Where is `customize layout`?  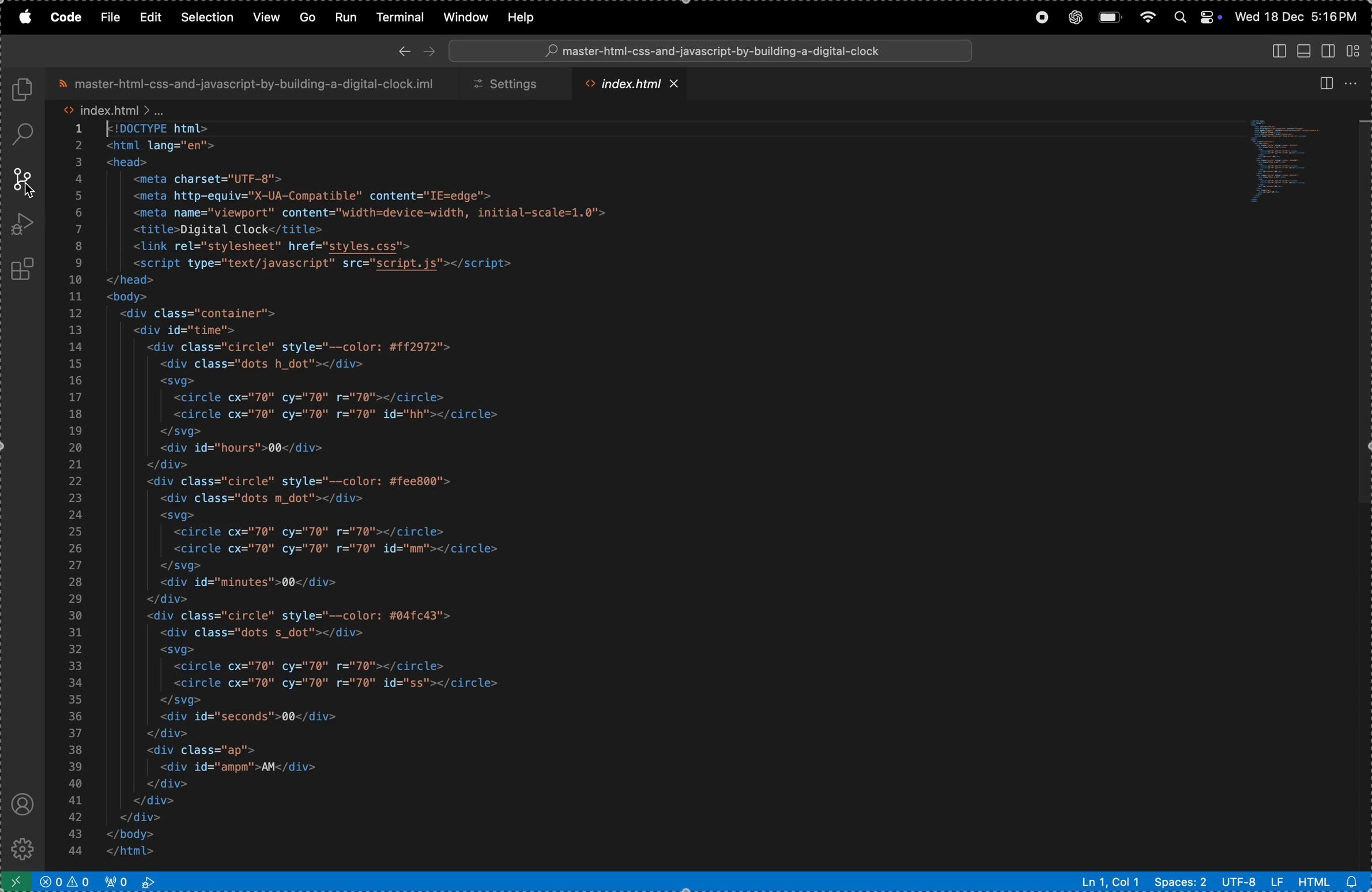 customize layout is located at coordinates (1354, 50).